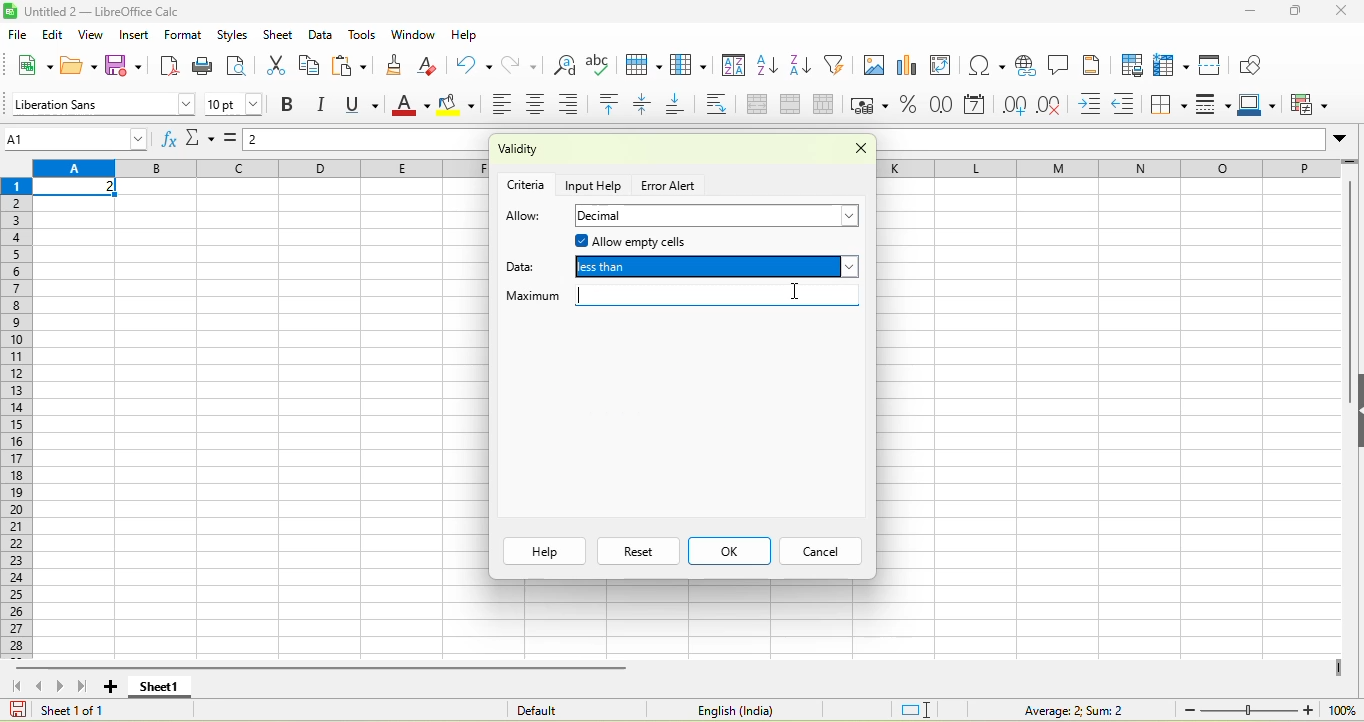  Describe the element at coordinates (289, 106) in the screenshot. I see `bold` at that location.